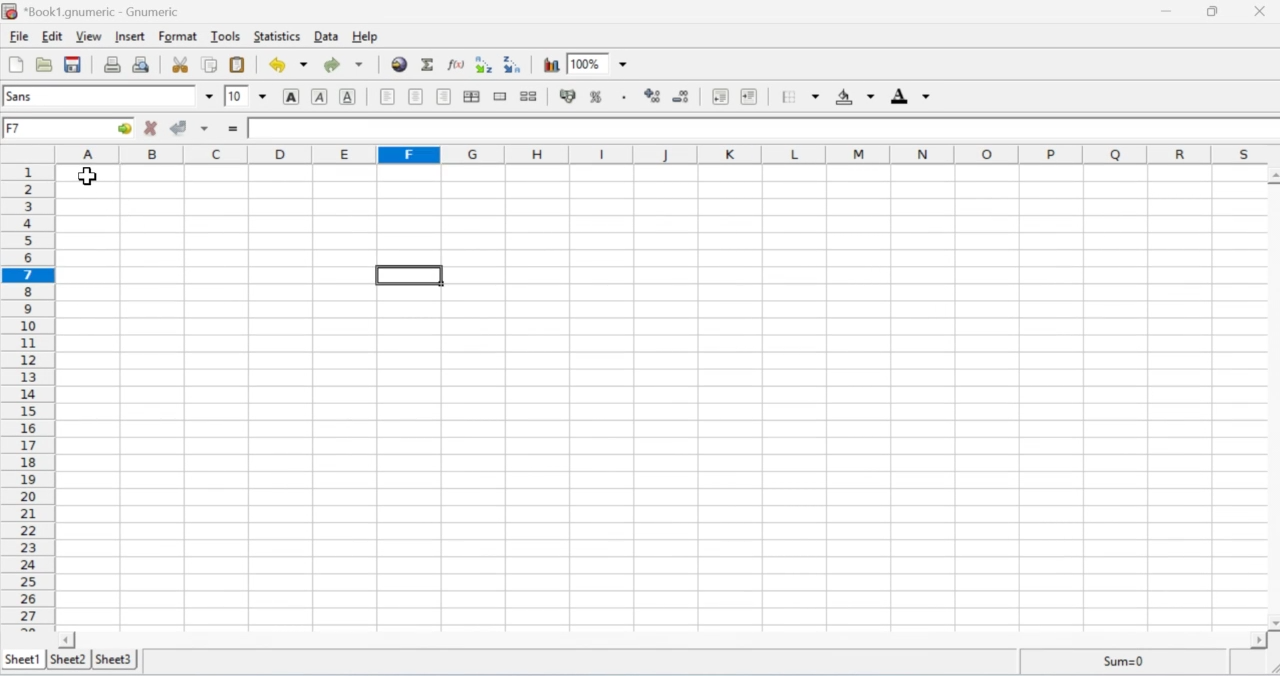  I want to click on Italics, so click(320, 97).